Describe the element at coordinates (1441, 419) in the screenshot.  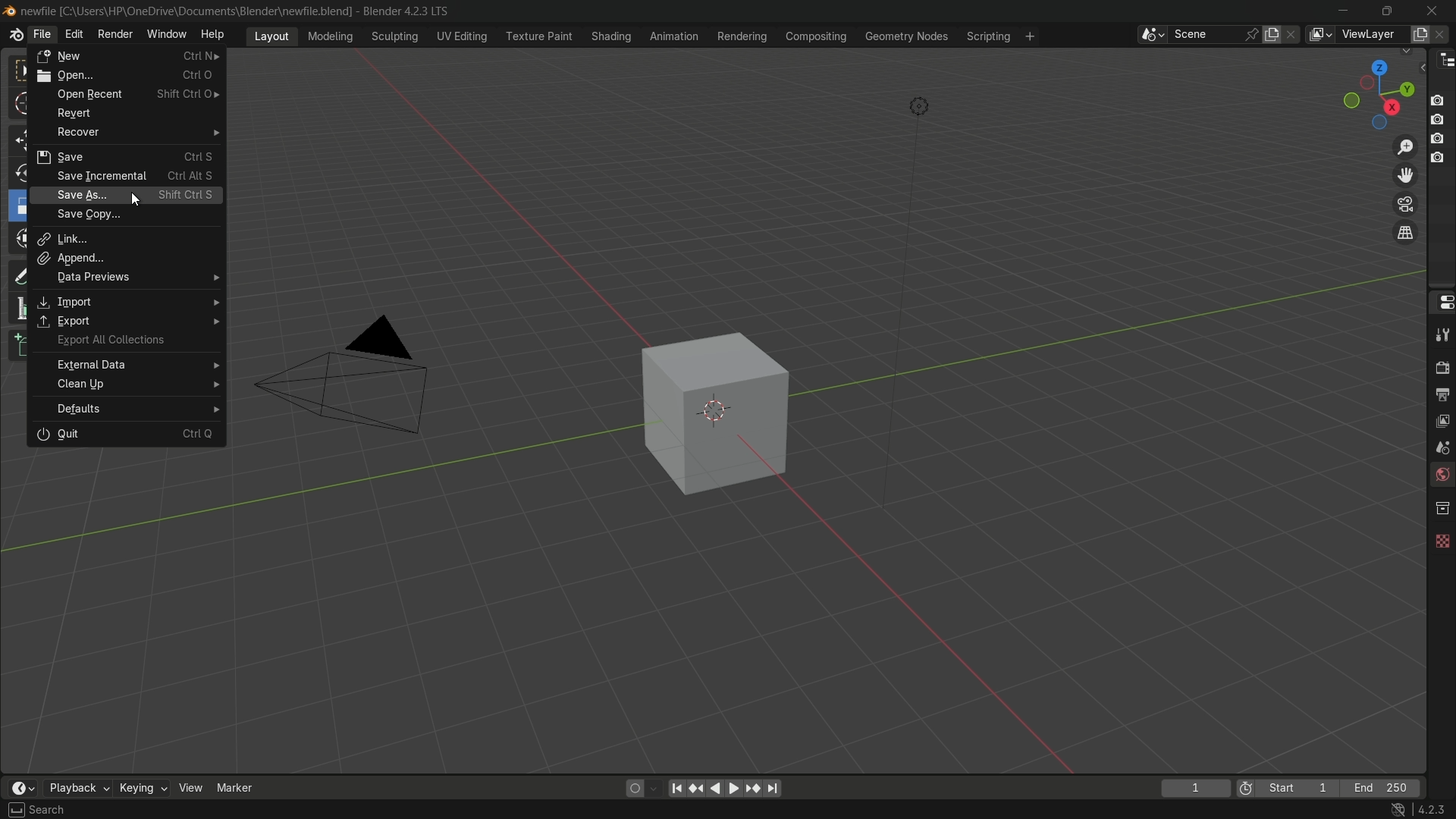
I see `view layer` at that location.